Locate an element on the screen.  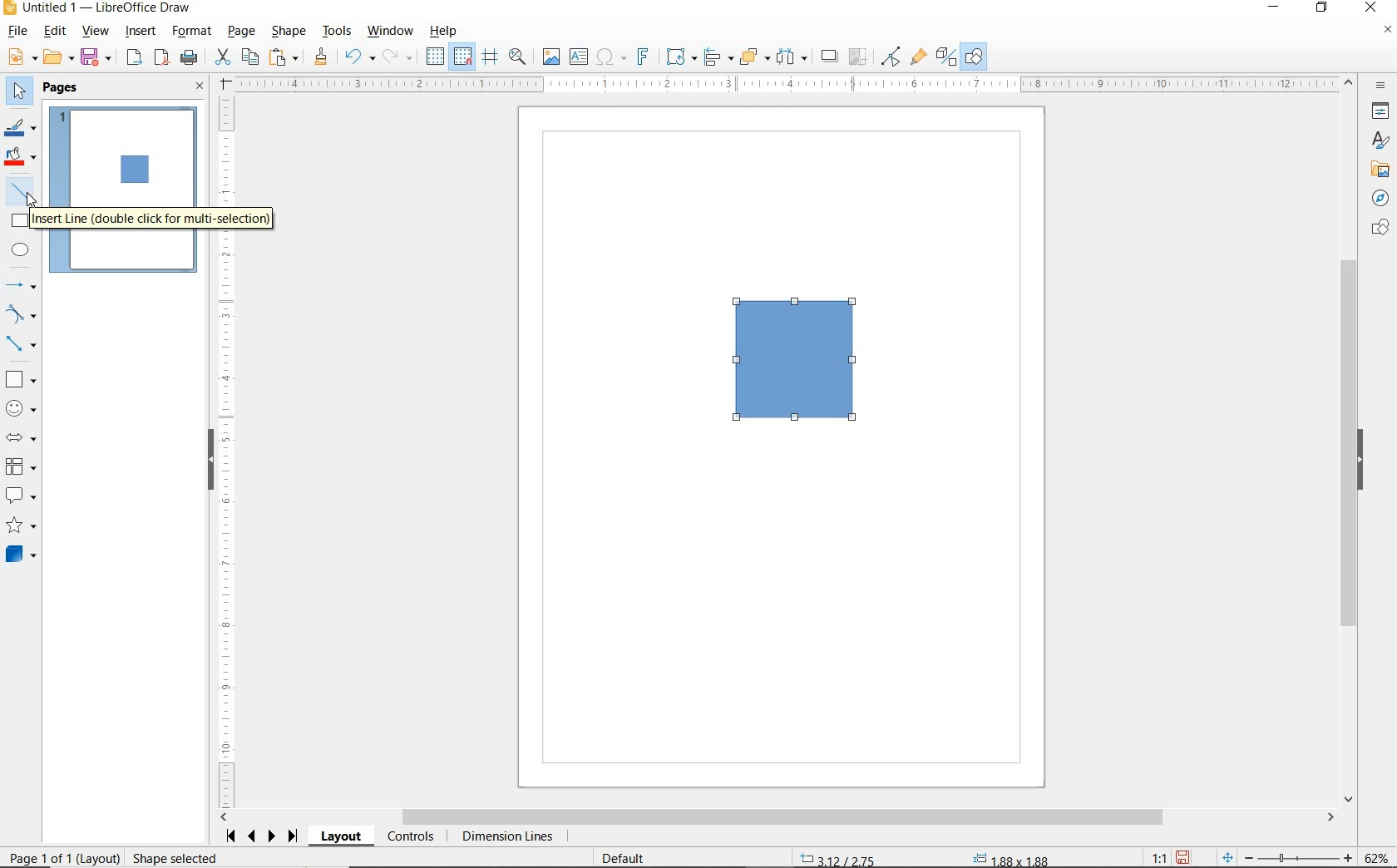
CLOSE DOCUMENT is located at coordinates (1387, 31).